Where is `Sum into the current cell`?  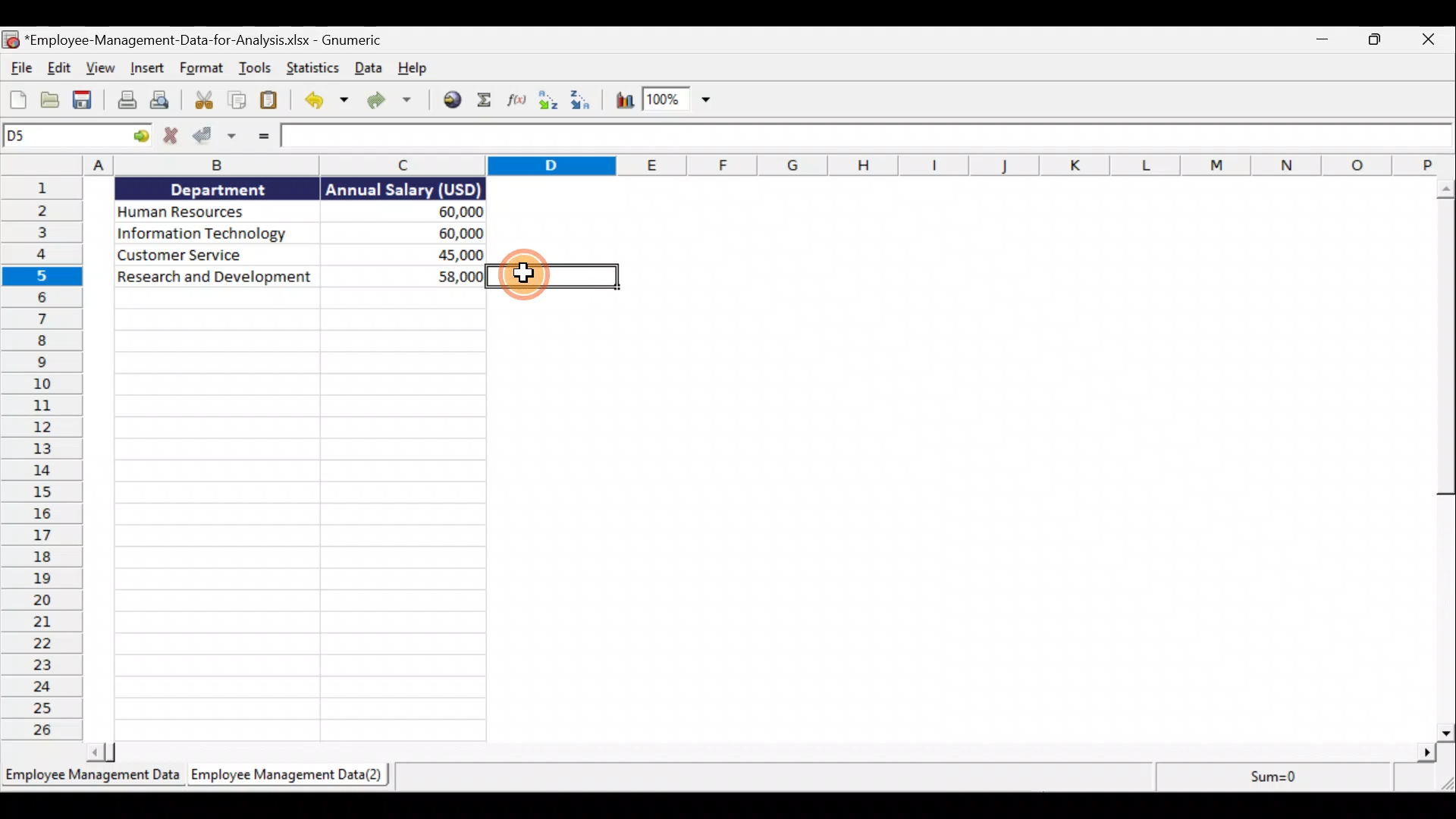 Sum into the current cell is located at coordinates (485, 103).